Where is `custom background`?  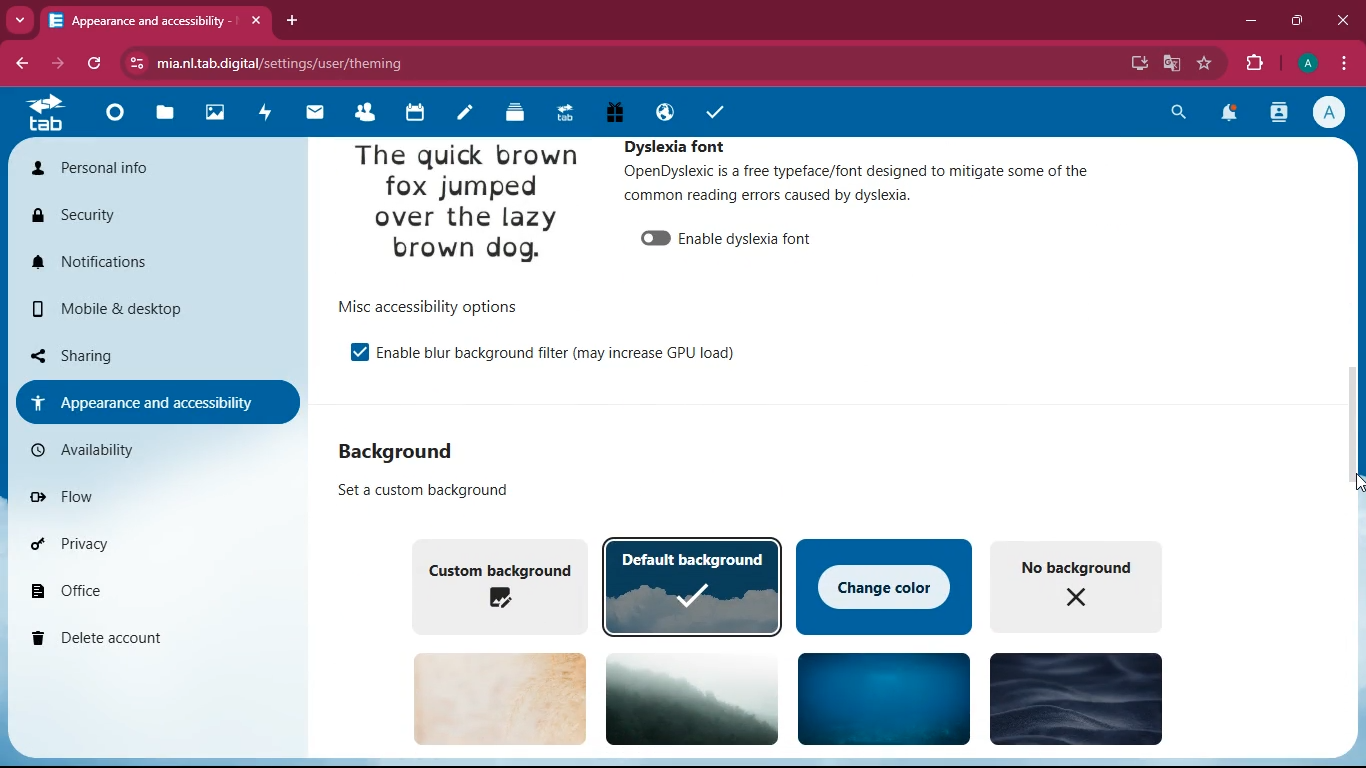 custom background is located at coordinates (497, 584).